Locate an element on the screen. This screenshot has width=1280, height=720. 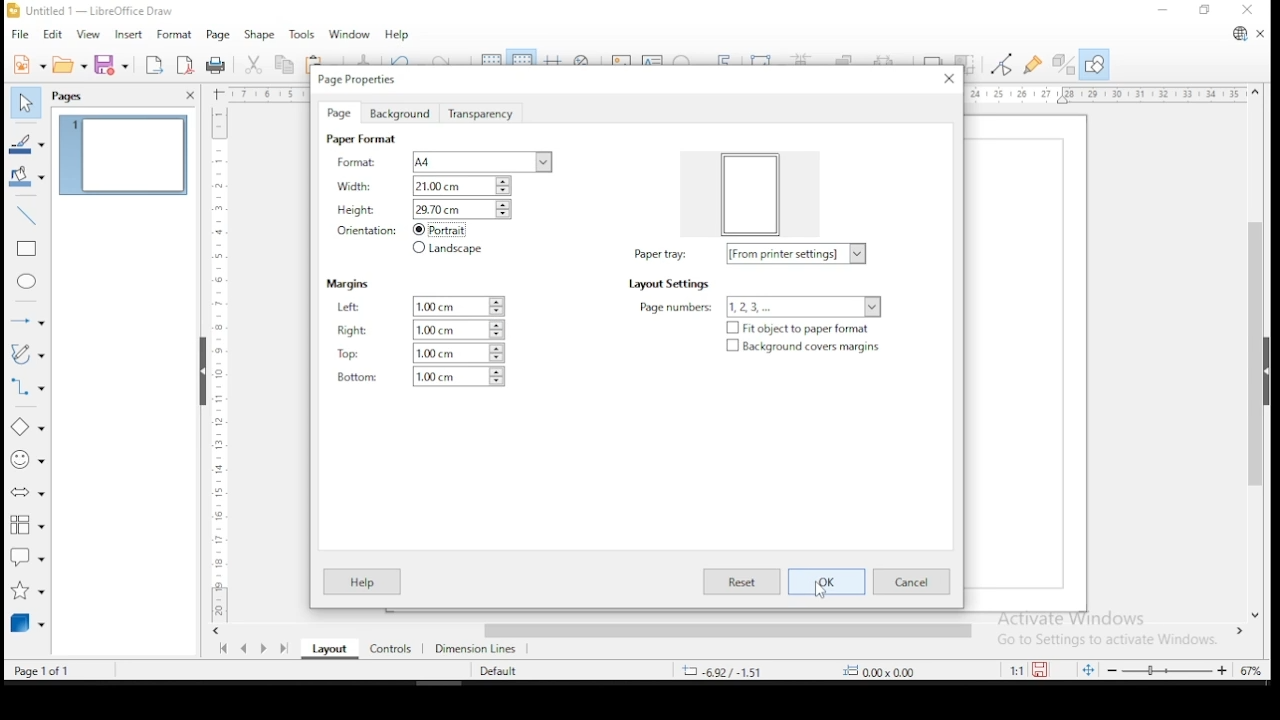
stars and banners is located at coordinates (25, 591).